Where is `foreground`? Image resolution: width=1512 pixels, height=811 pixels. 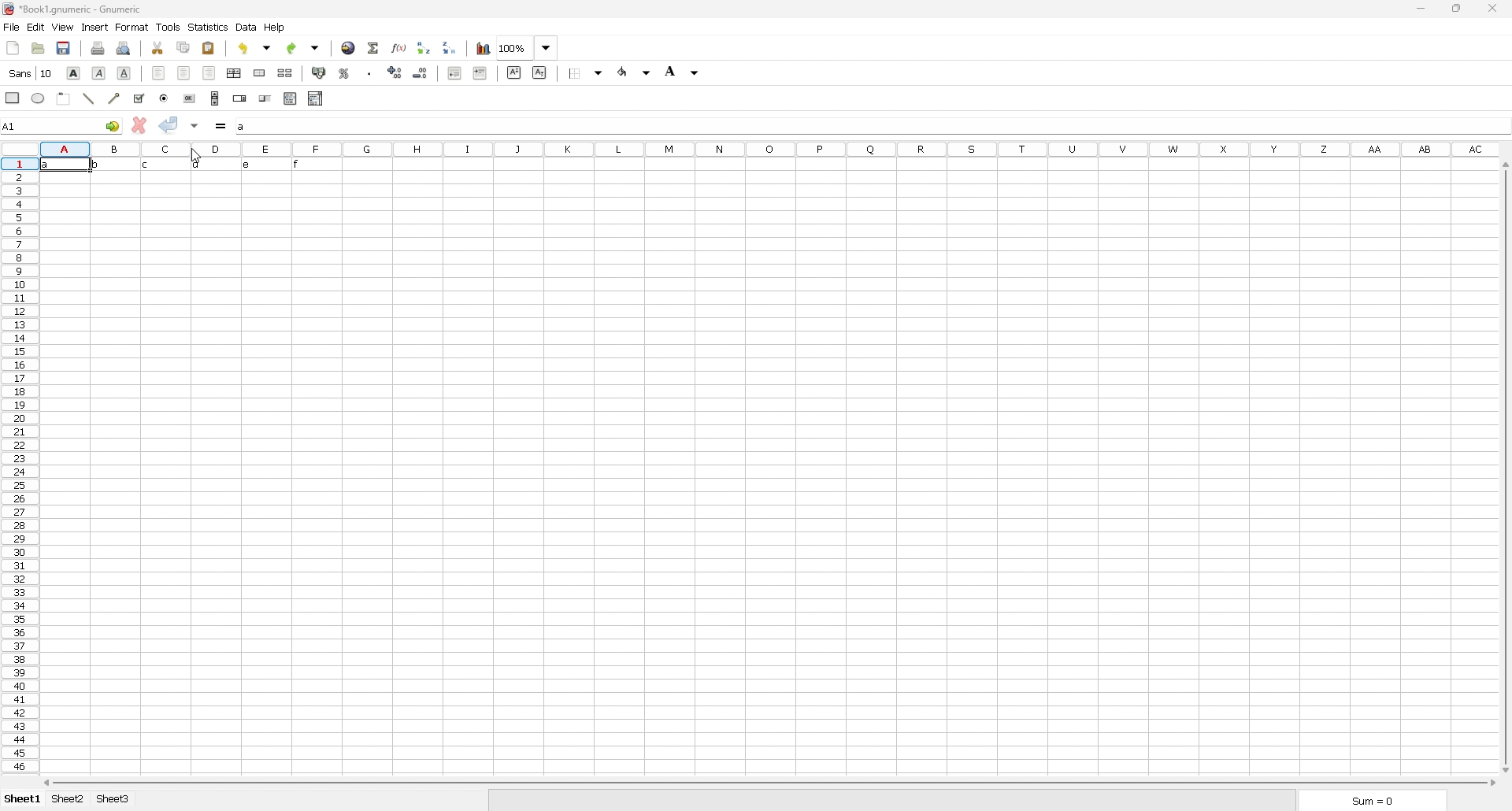 foreground is located at coordinates (637, 70).